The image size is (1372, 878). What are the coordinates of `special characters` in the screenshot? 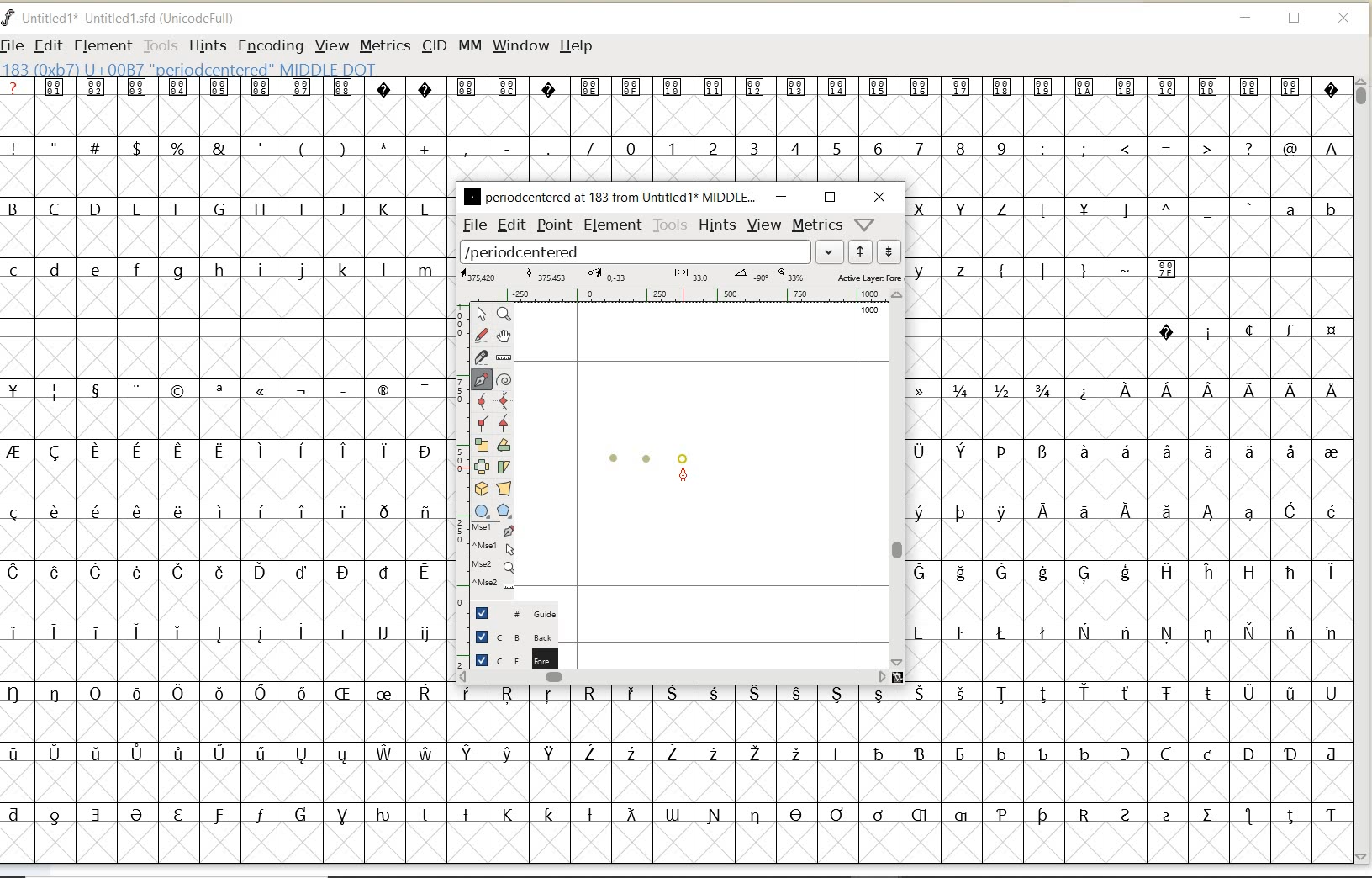 It's located at (219, 601).